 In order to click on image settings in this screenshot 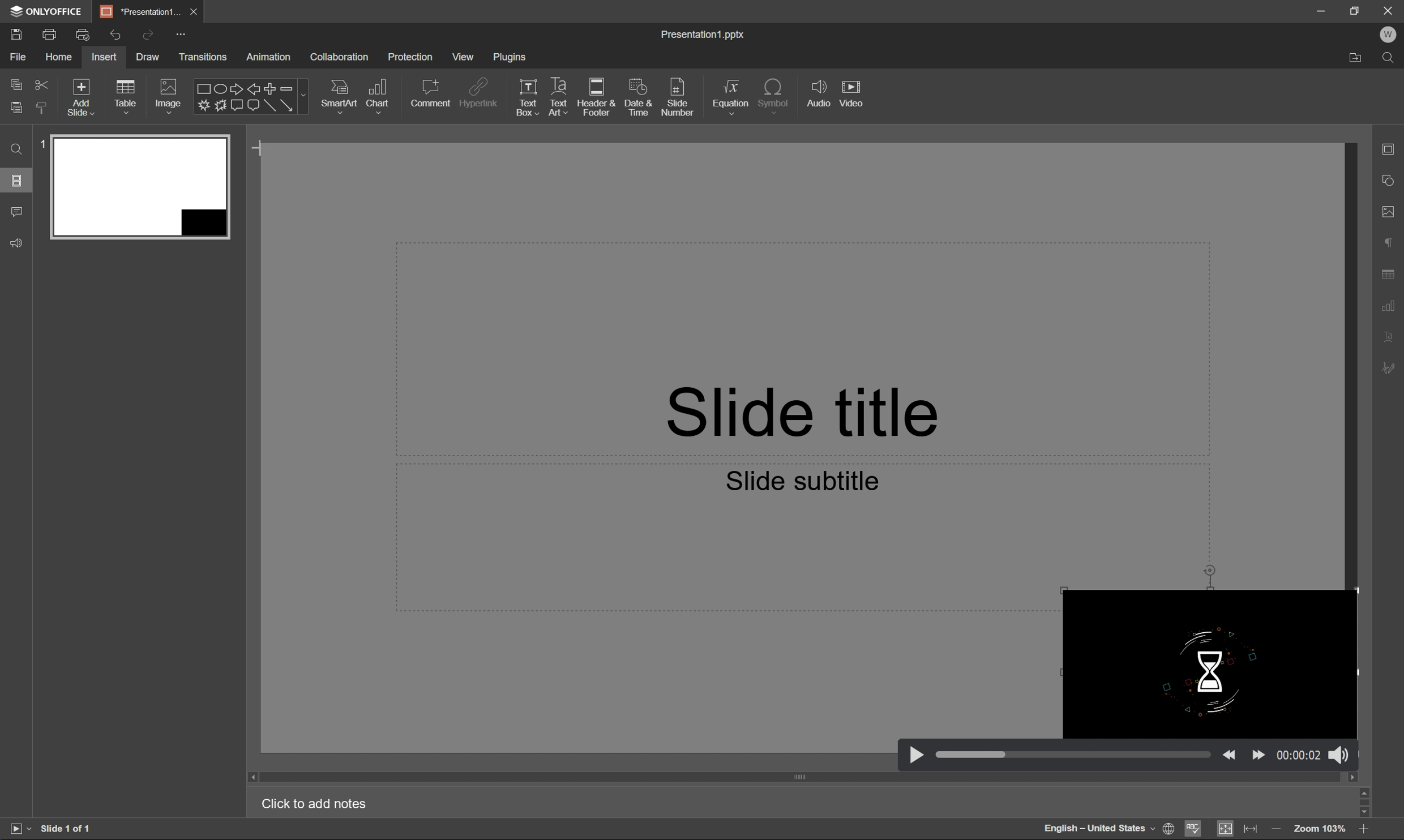, I will do `click(1392, 211)`.